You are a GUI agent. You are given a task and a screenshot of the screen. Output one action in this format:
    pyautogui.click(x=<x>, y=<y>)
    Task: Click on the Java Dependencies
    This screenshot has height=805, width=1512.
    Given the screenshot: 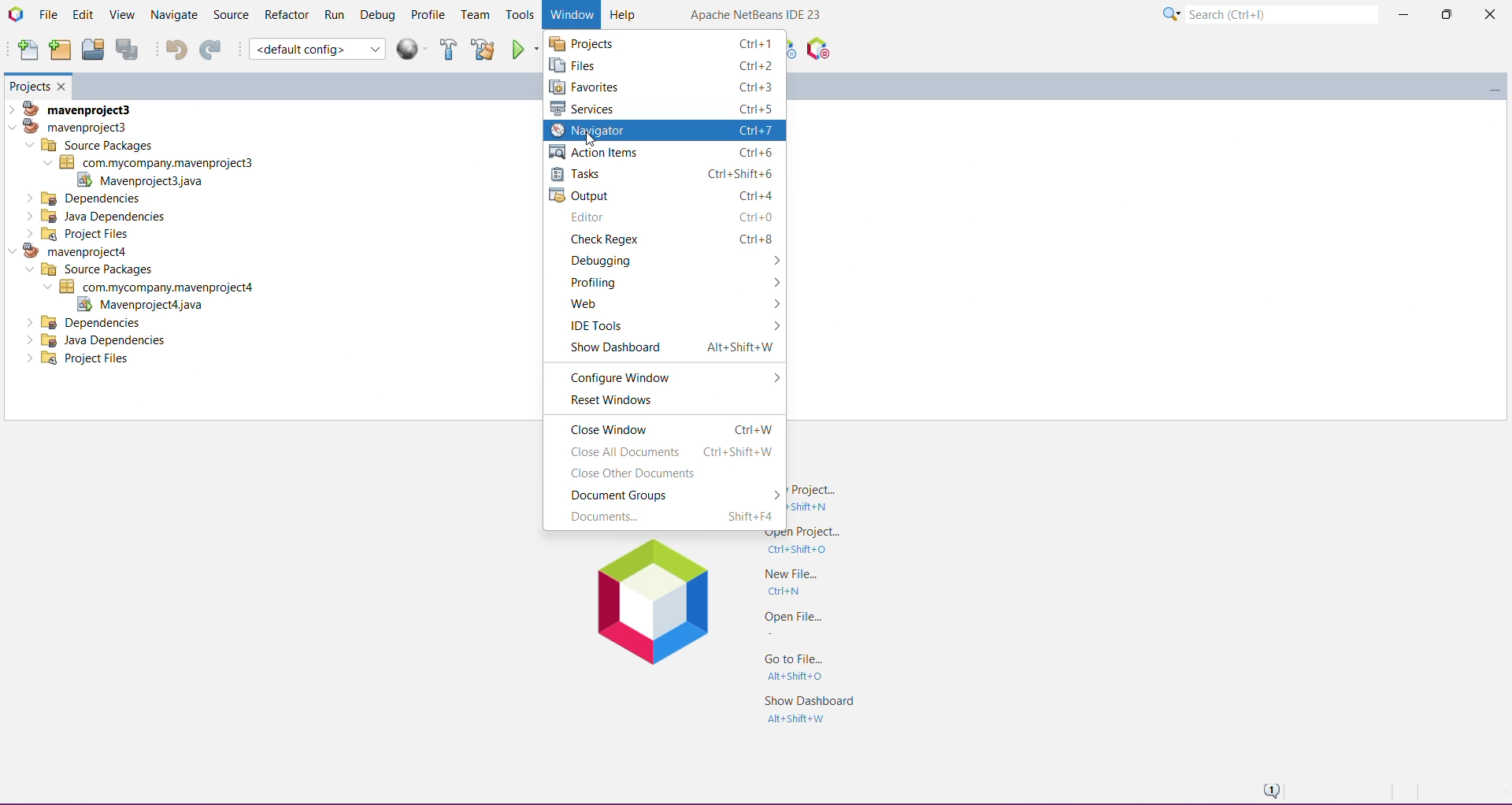 What is the action you would take?
    pyautogui.click(x=98, y=216)
    